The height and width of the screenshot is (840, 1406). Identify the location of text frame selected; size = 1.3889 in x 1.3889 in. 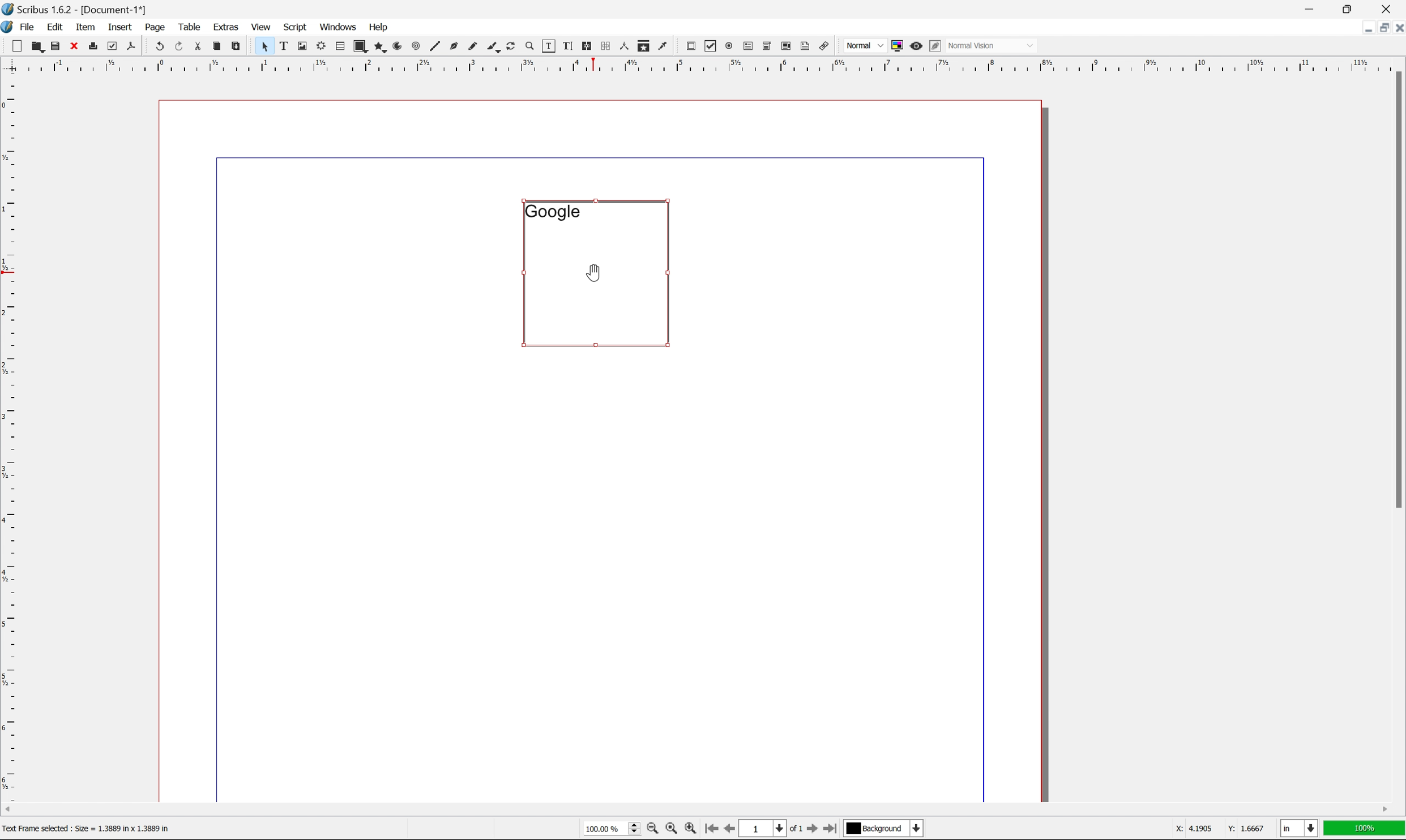
(87, 829).